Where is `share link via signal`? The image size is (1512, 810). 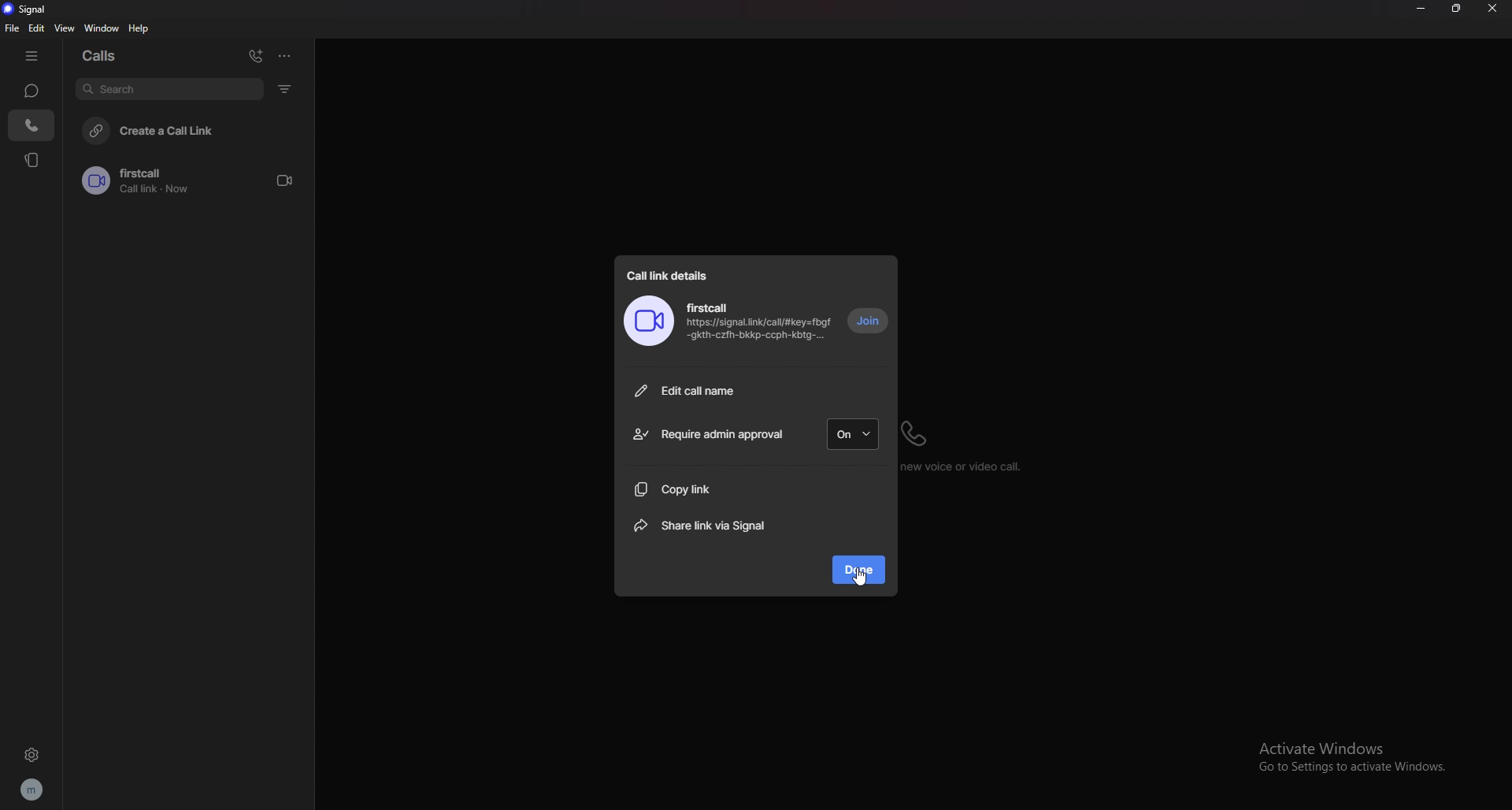
share link via signal is located at coordinates (708, 526).